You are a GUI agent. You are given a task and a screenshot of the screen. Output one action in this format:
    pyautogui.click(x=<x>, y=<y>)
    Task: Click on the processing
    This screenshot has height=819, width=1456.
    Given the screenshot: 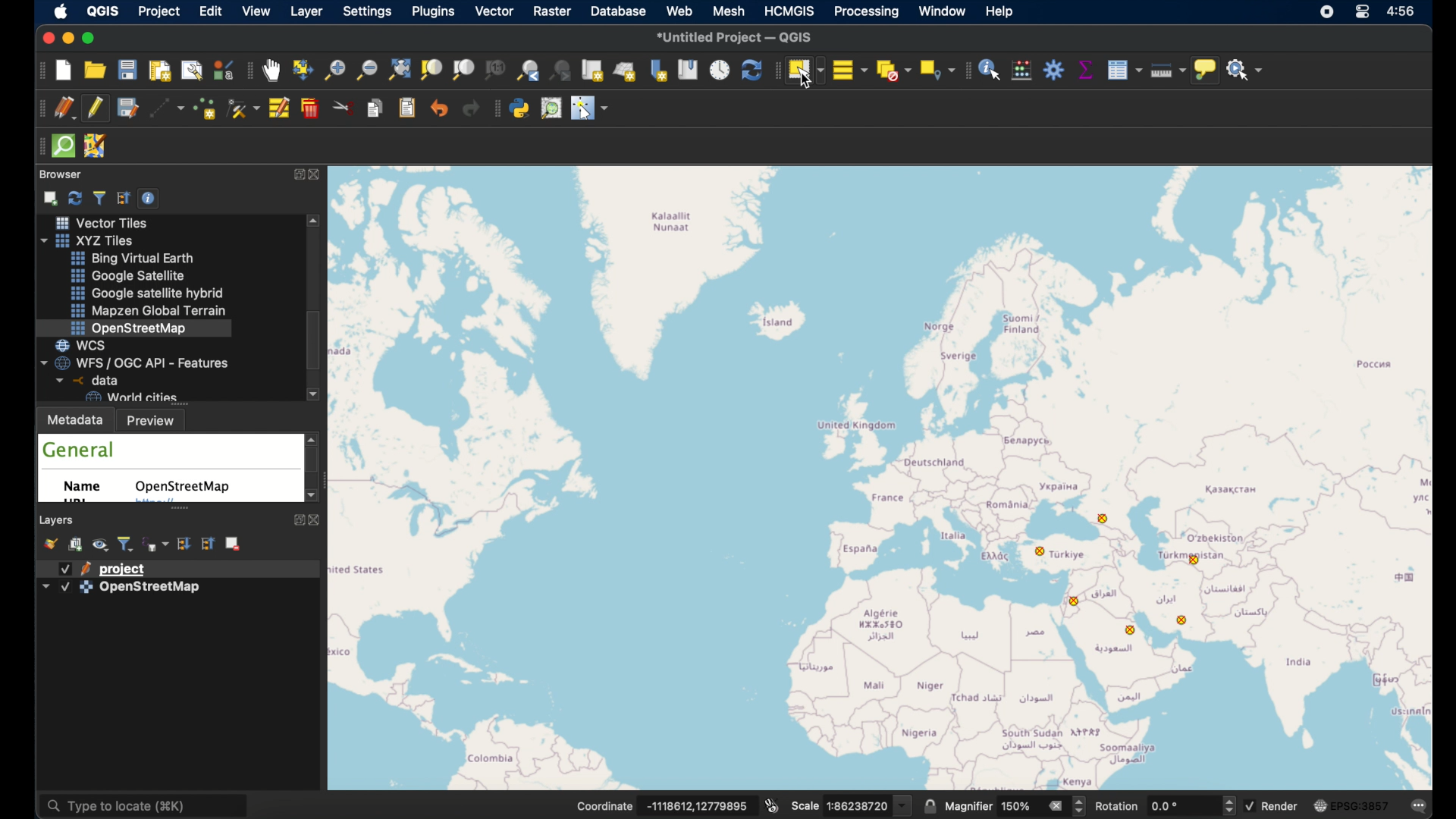 What is the action you would take?
    pyautogui.click(x=867, y=12)
    